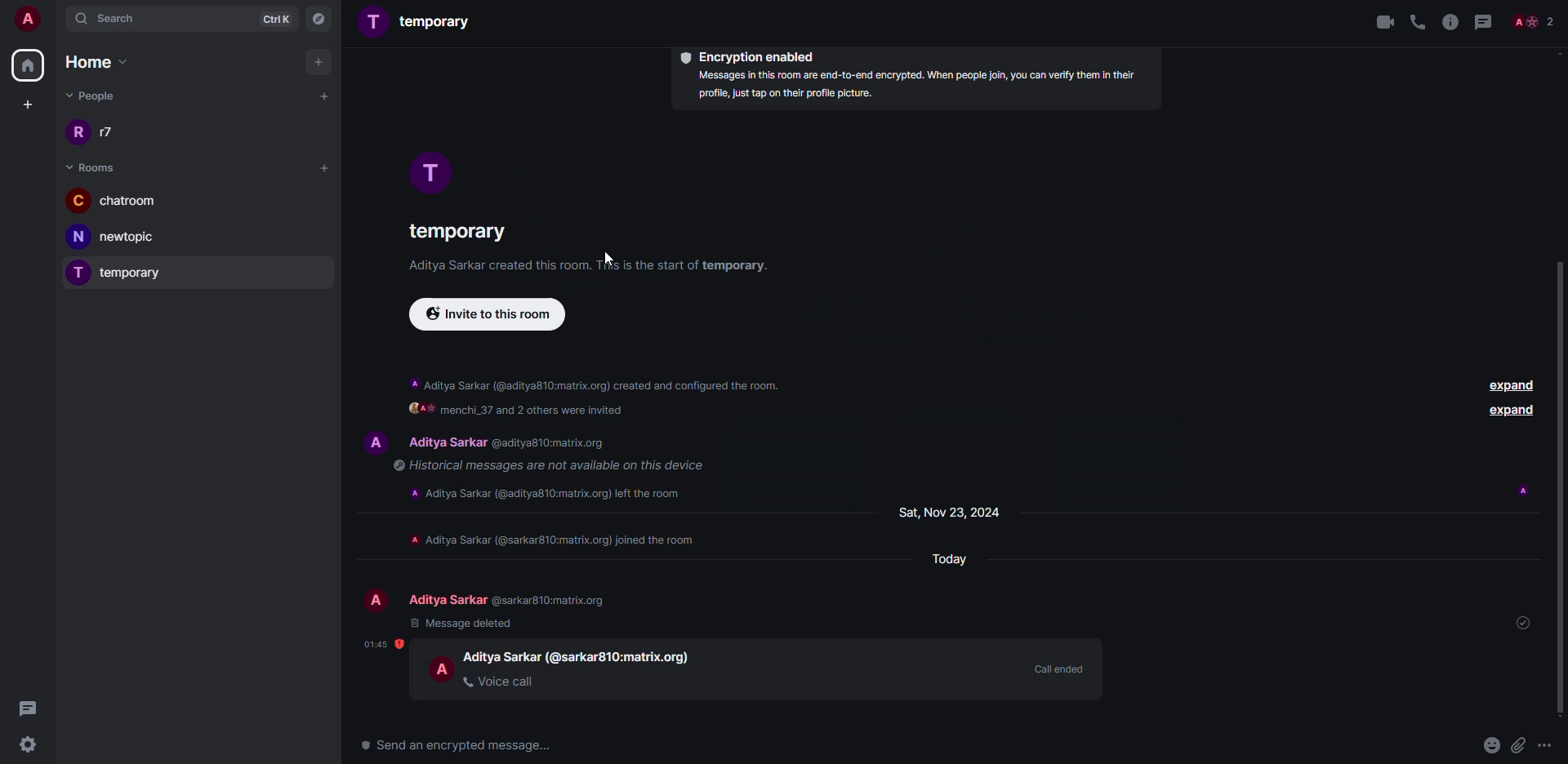 The width and height of the screenshot is (1568, 764). What do you see at coordinates (376, 597) in the screenshot?
I see `profile` at bounding box center [376, 597].